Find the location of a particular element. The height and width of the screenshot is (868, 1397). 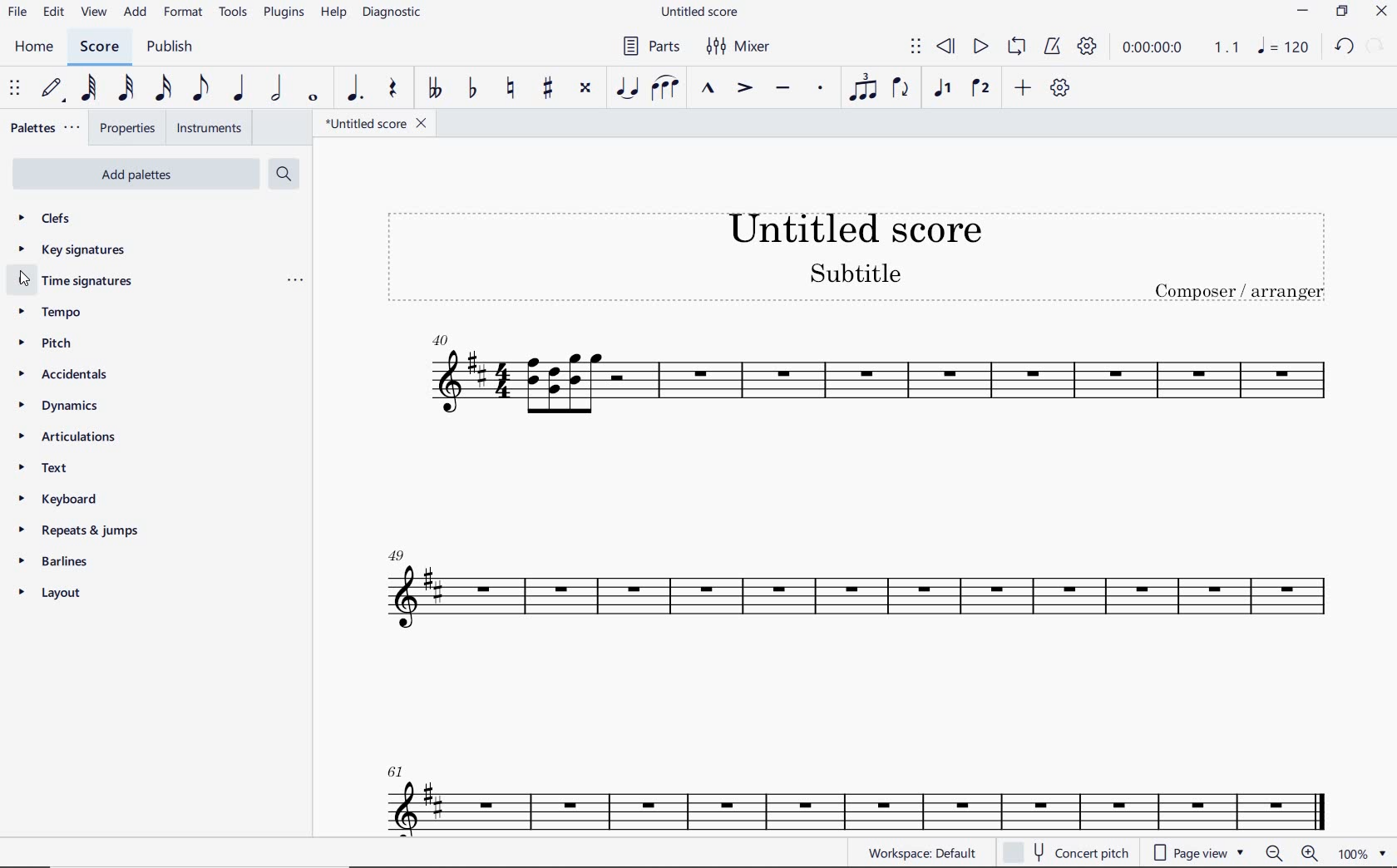

32ND NOTE is located at coordinates (126, 89).